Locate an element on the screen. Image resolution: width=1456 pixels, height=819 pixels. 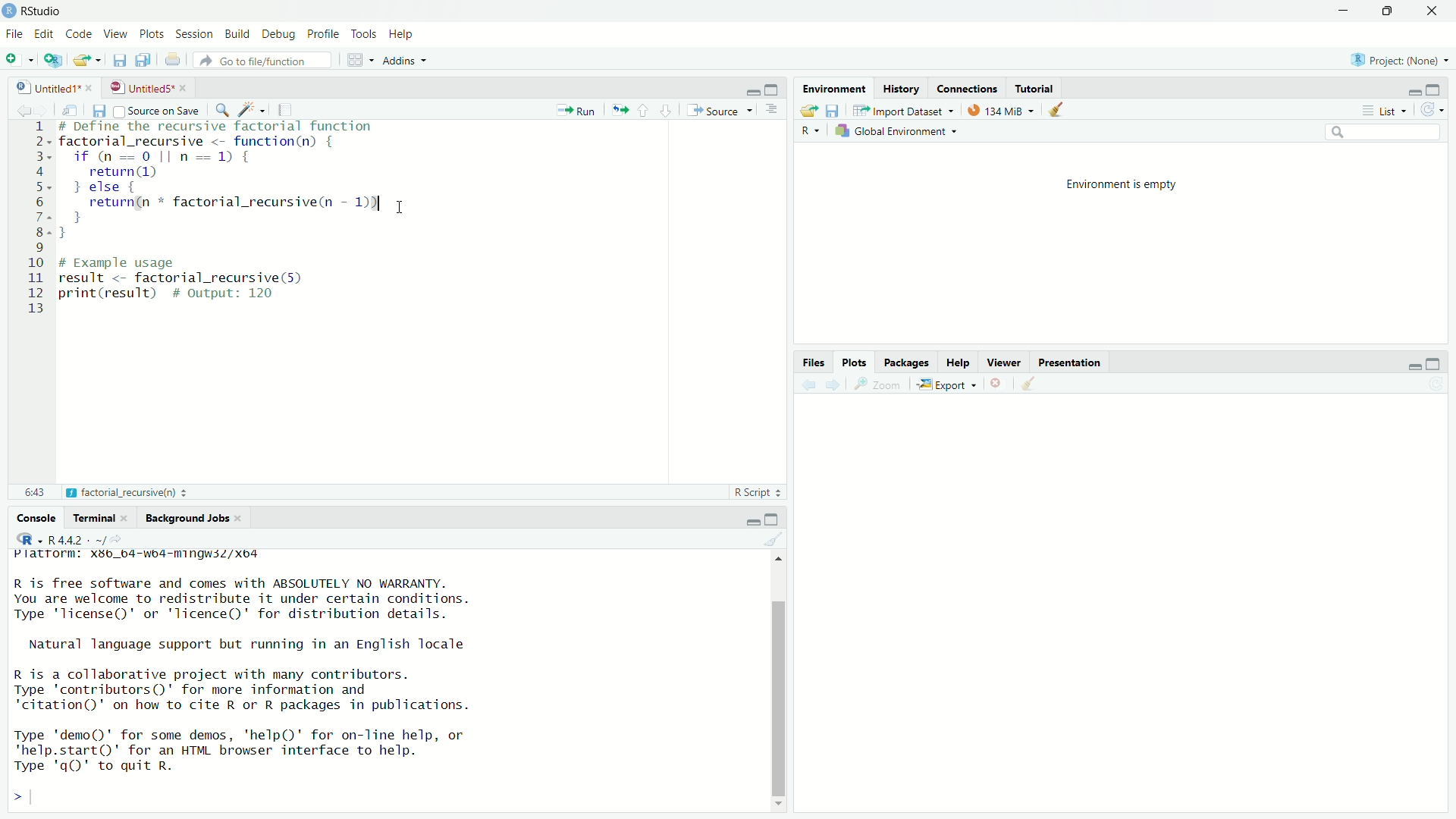
Minimize is located at coordinates (752, 522).